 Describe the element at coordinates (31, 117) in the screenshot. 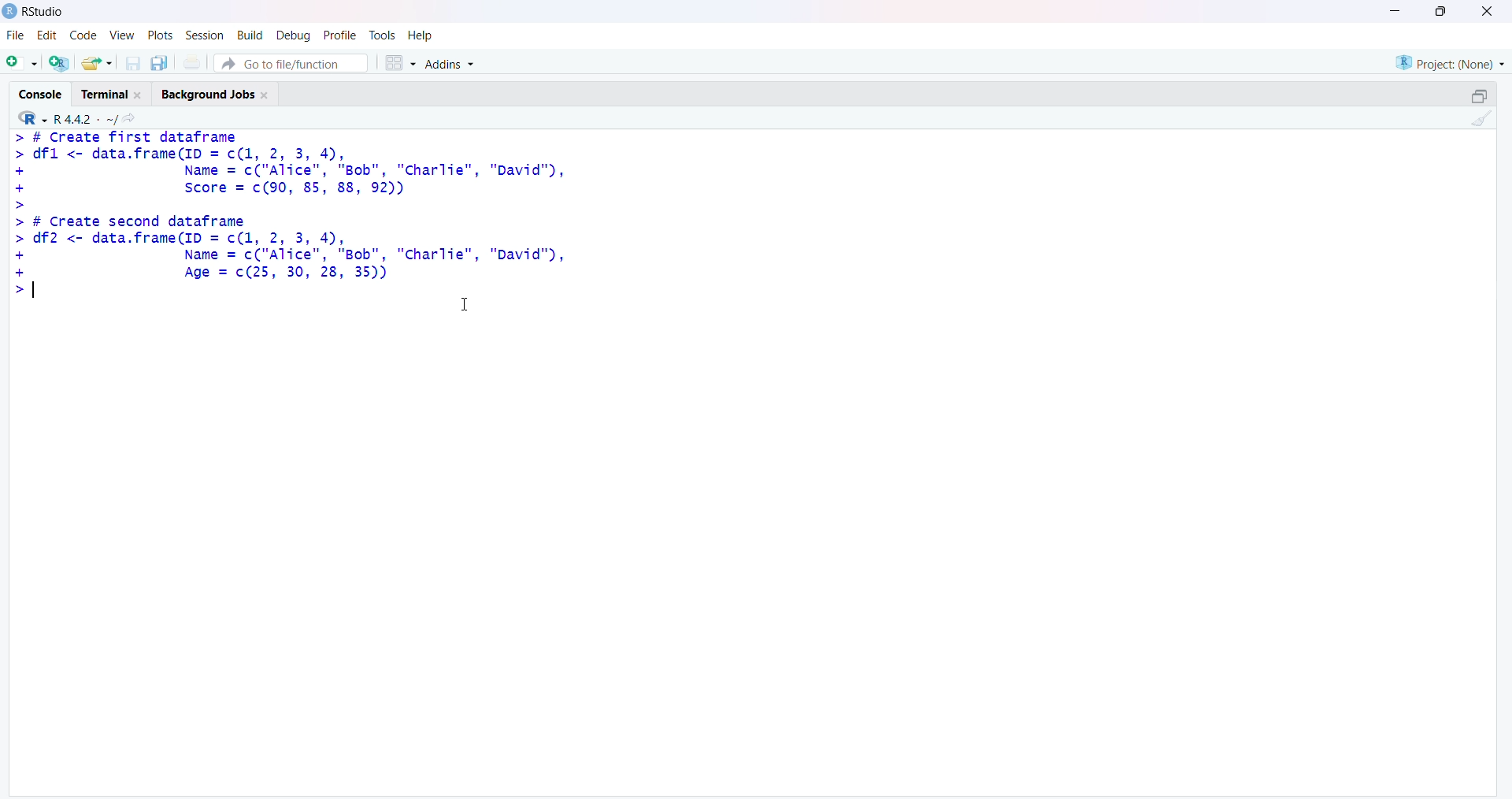

I see `R` at that location.